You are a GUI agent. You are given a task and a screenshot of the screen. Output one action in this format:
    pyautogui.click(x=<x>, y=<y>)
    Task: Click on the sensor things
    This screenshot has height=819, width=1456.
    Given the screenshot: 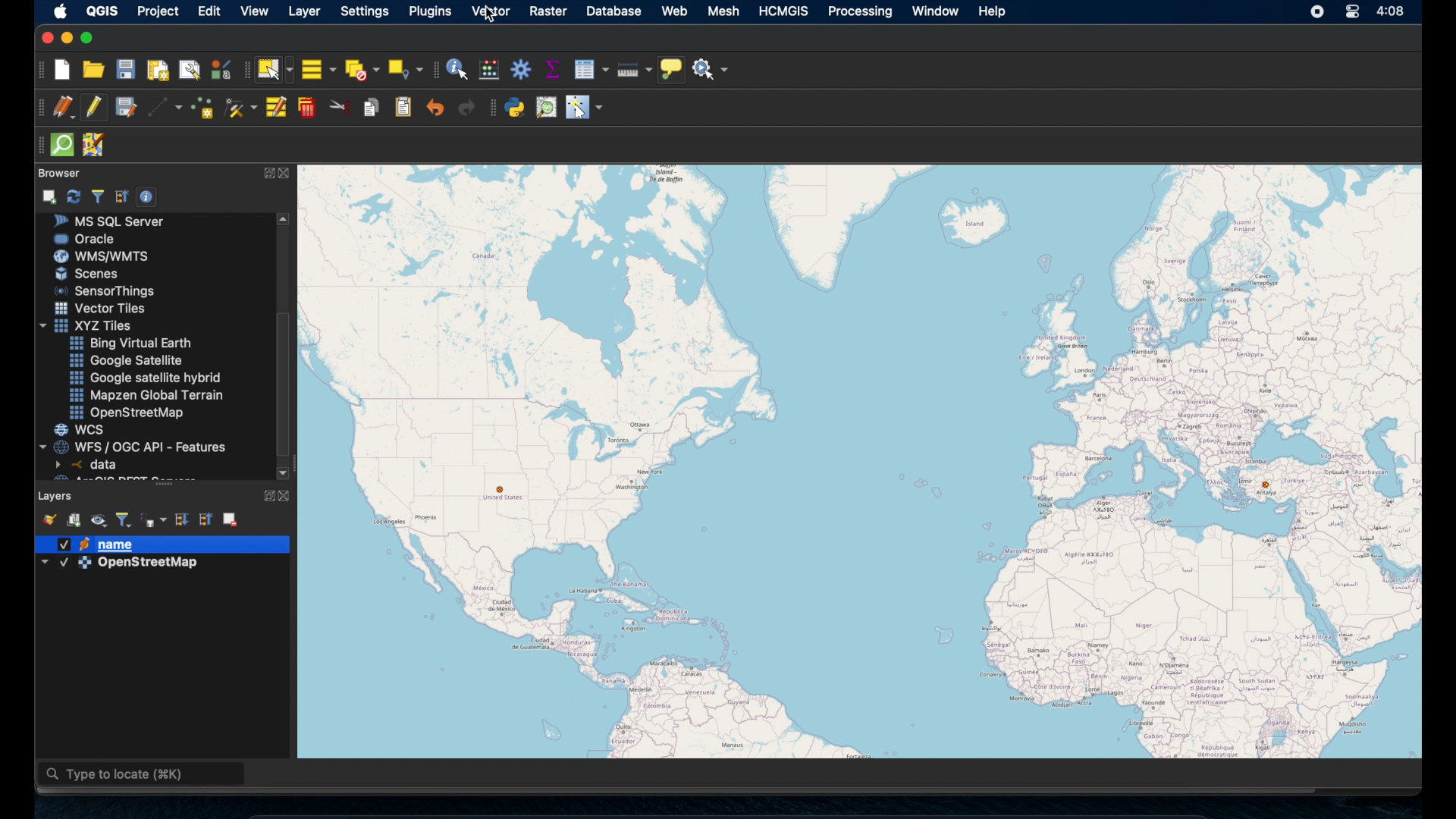 What is the action you would take?
    pyautogui.click(x=105, y=290)
    